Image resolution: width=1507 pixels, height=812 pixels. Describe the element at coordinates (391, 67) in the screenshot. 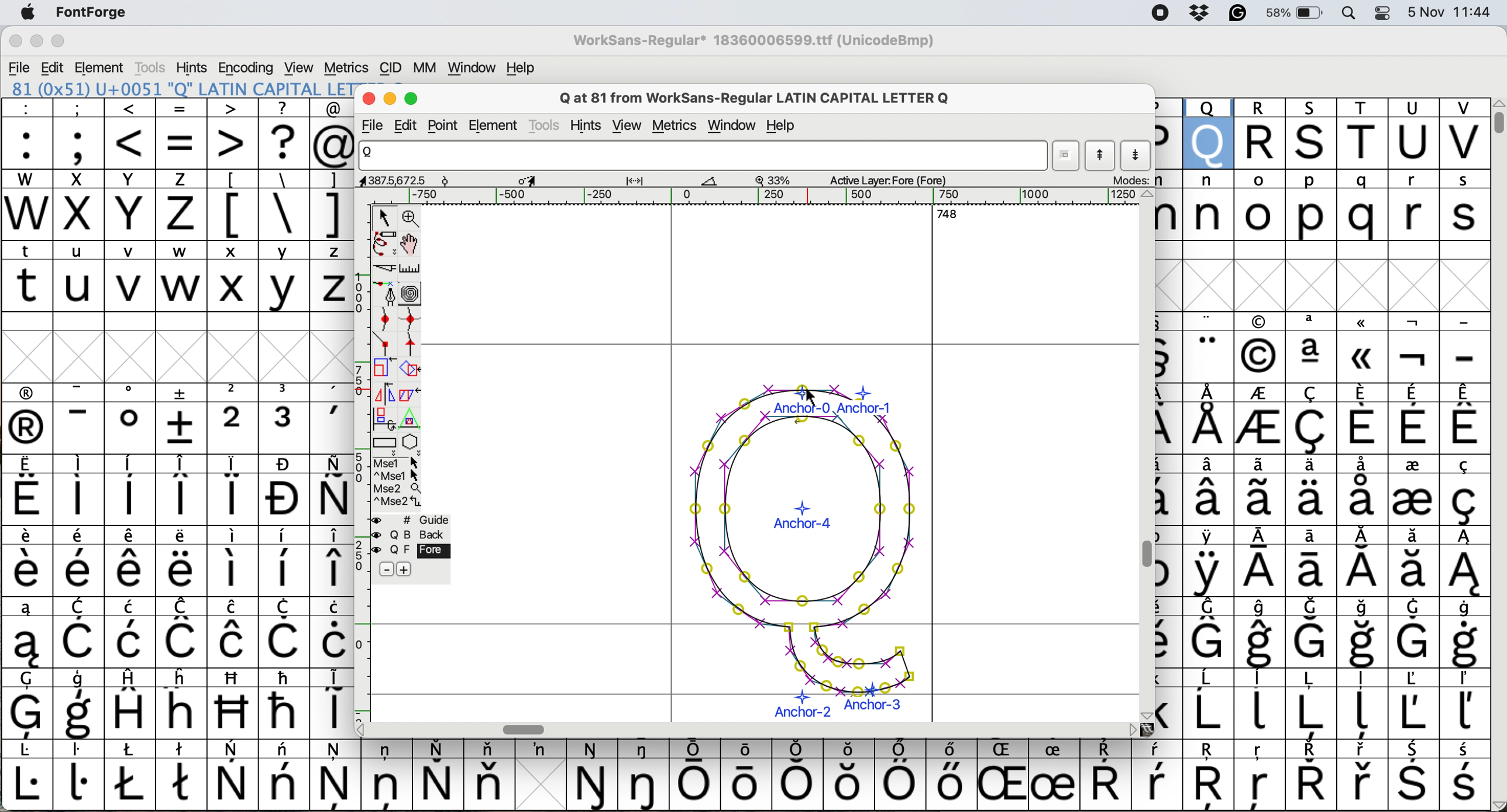

I see `cid` at that location.